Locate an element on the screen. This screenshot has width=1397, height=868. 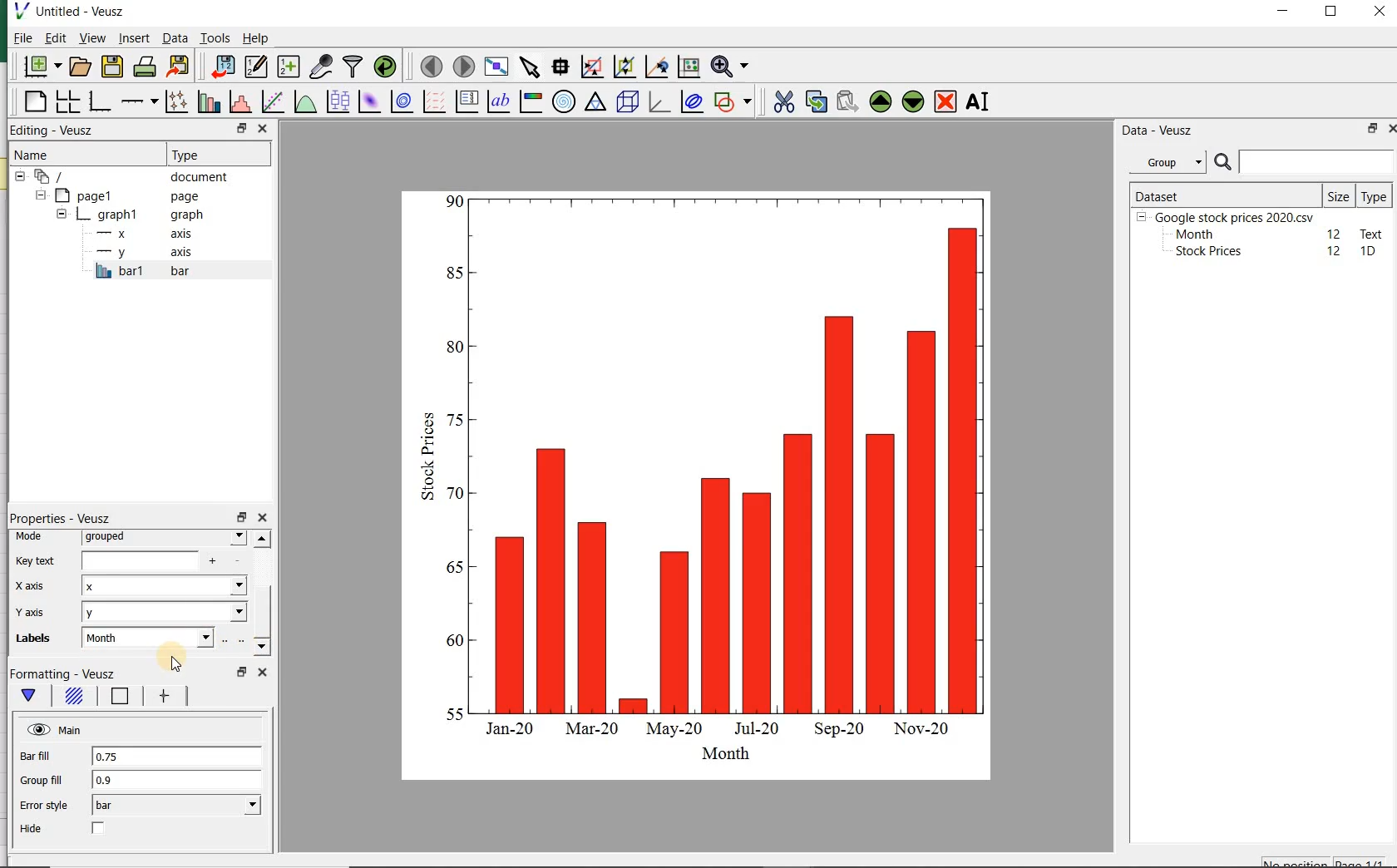
plot a 2d dataset as contours is located at coordinates (399, 103).